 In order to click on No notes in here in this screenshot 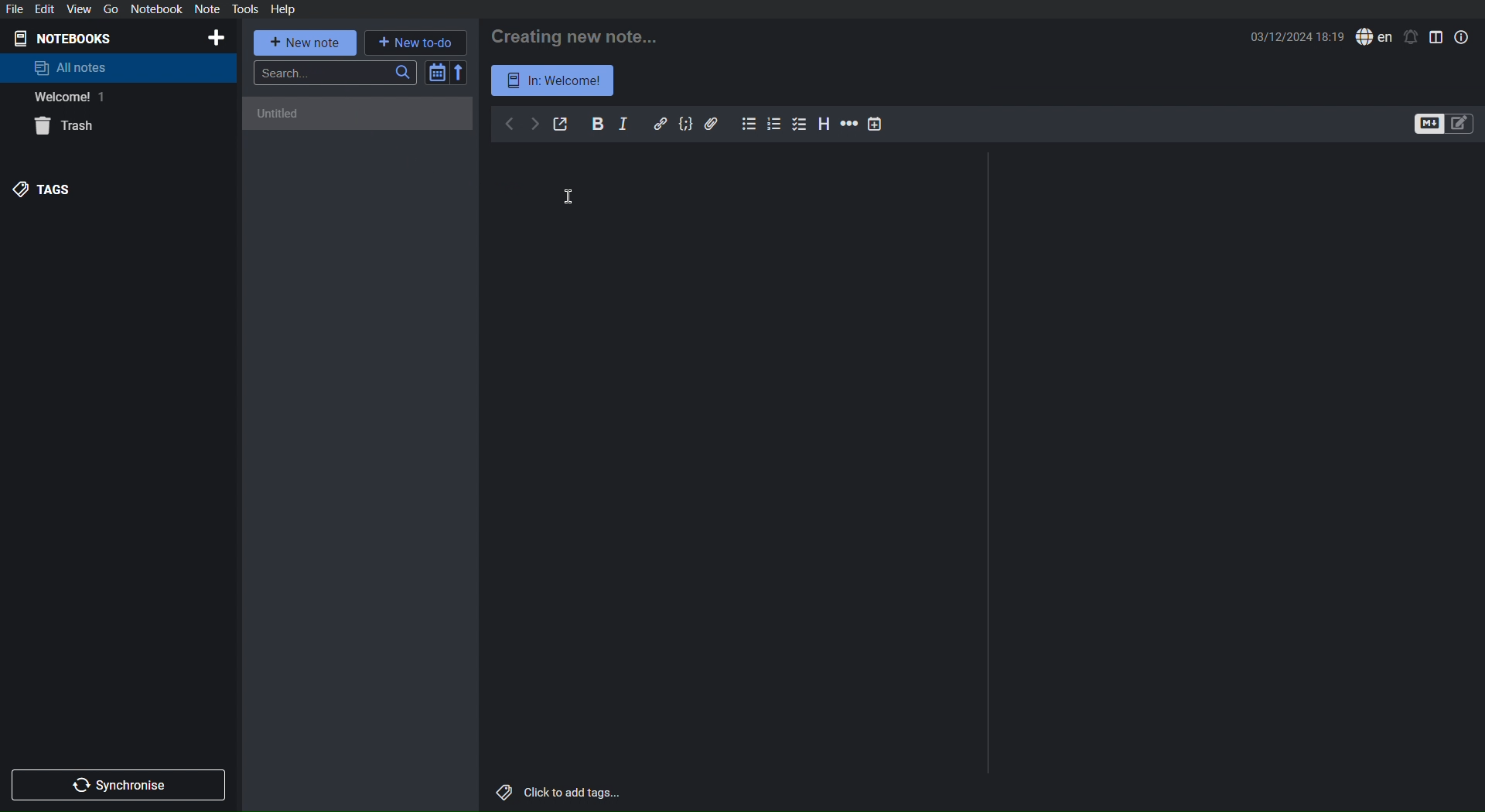, I will do `click(360, 121)`.